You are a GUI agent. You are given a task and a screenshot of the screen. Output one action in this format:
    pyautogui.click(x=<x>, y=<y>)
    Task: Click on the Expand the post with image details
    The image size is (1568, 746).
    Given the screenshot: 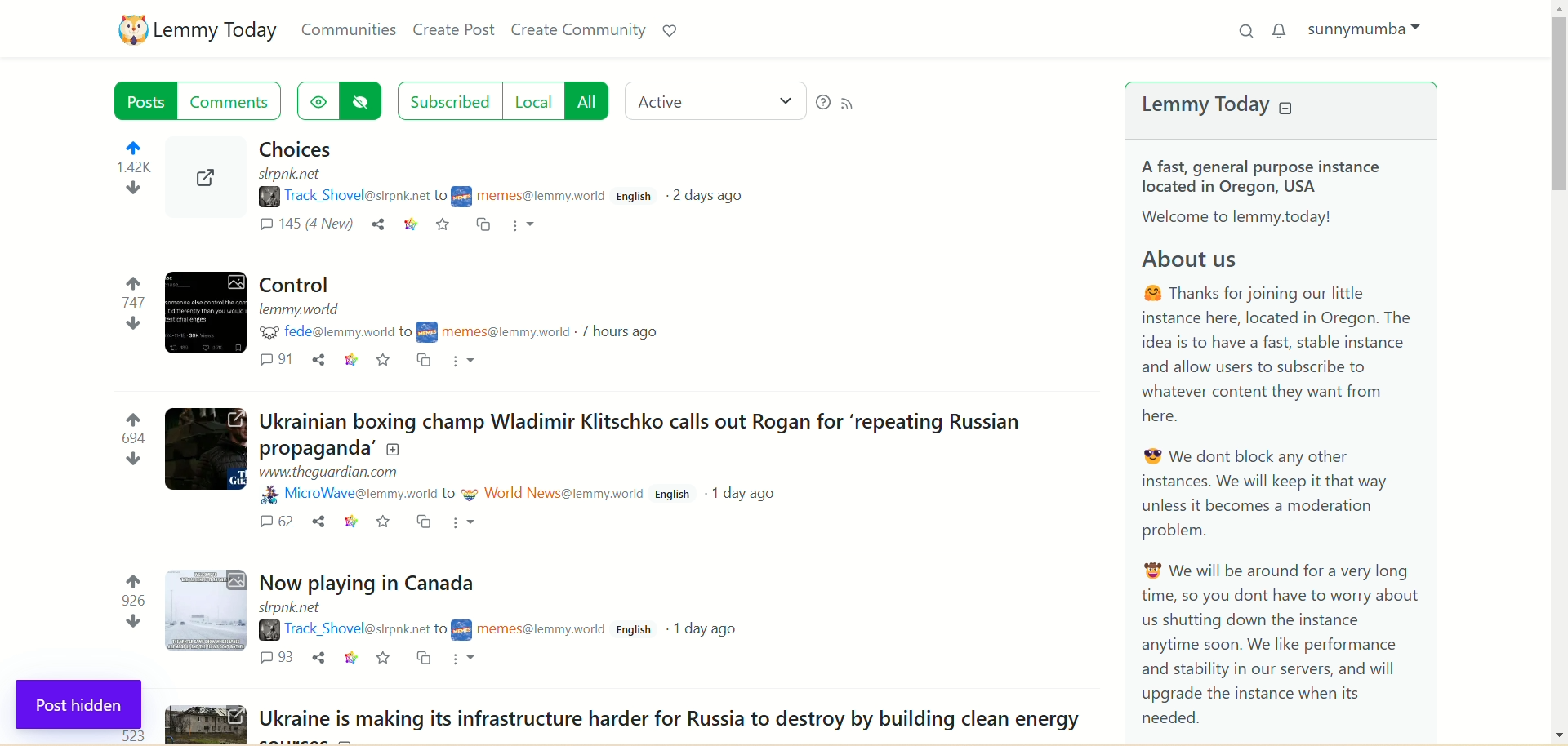 What is the action you would take?
    pyautogui.click(x=203, y=724)
    